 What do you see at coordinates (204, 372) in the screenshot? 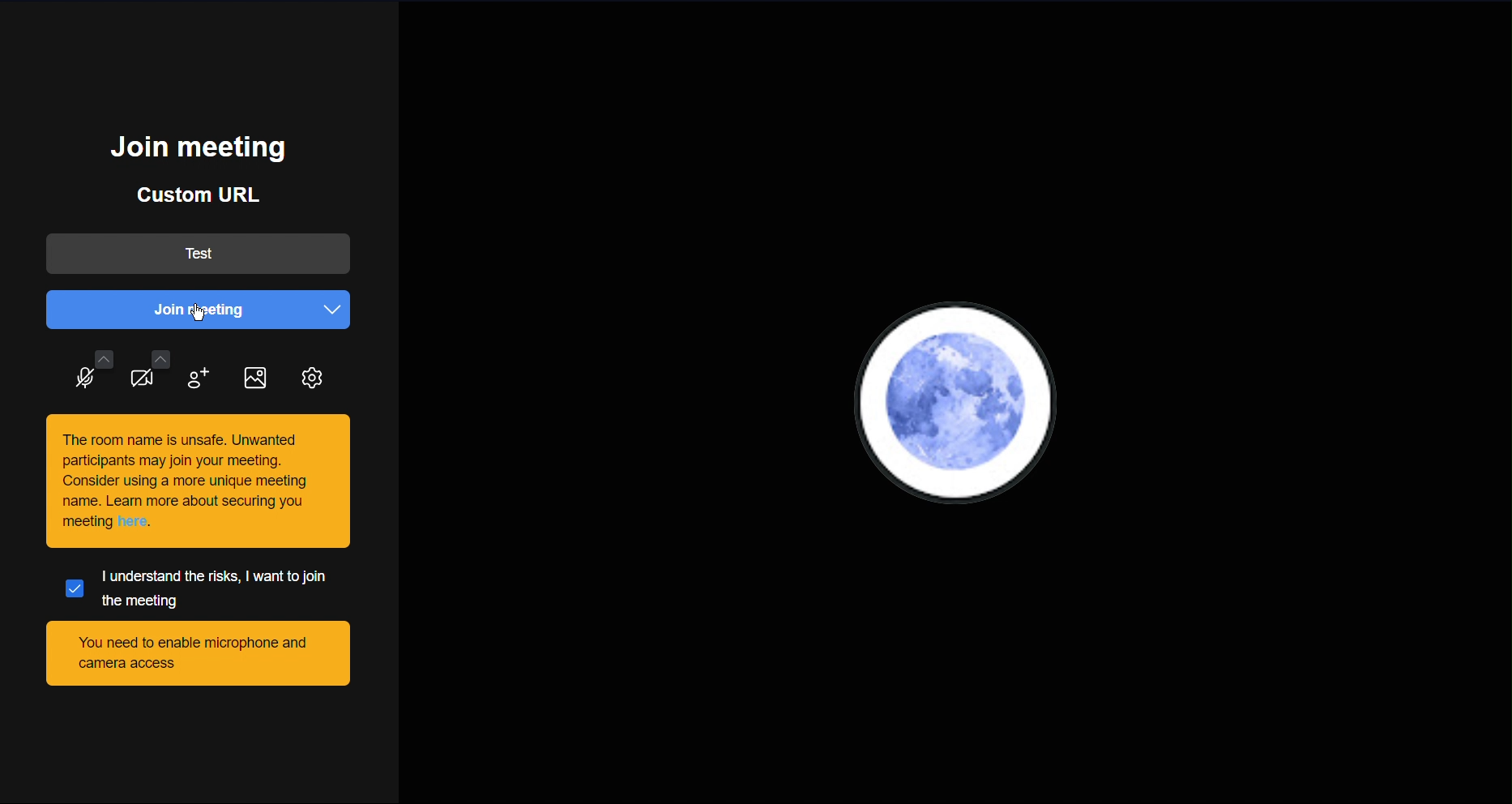
I see `Add participant` at bounding box center [204, 372].